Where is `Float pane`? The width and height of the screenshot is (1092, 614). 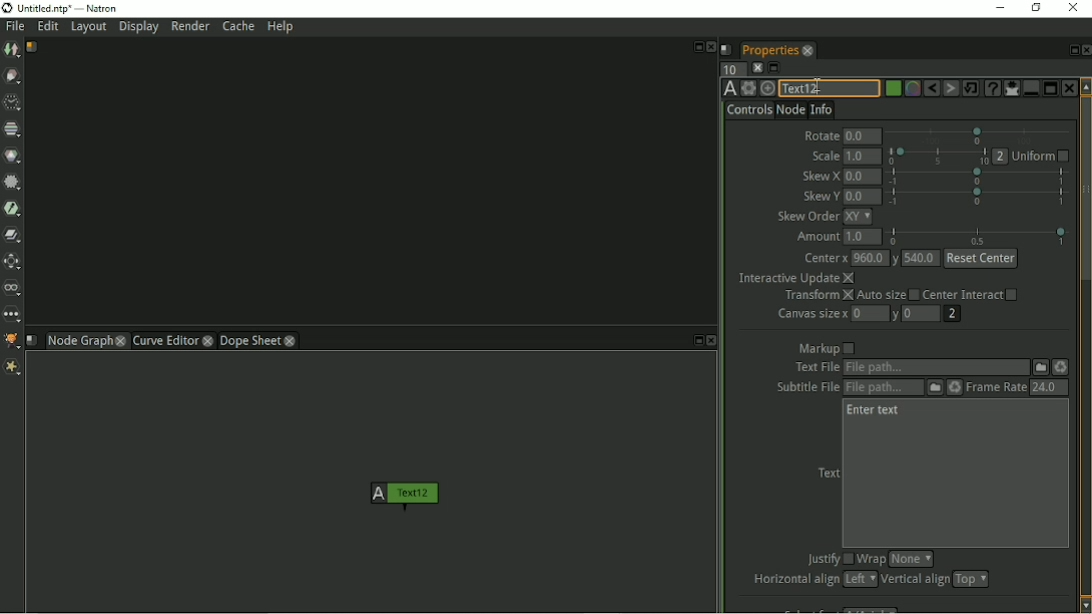
Float pane is located at coordinates (696, 45).